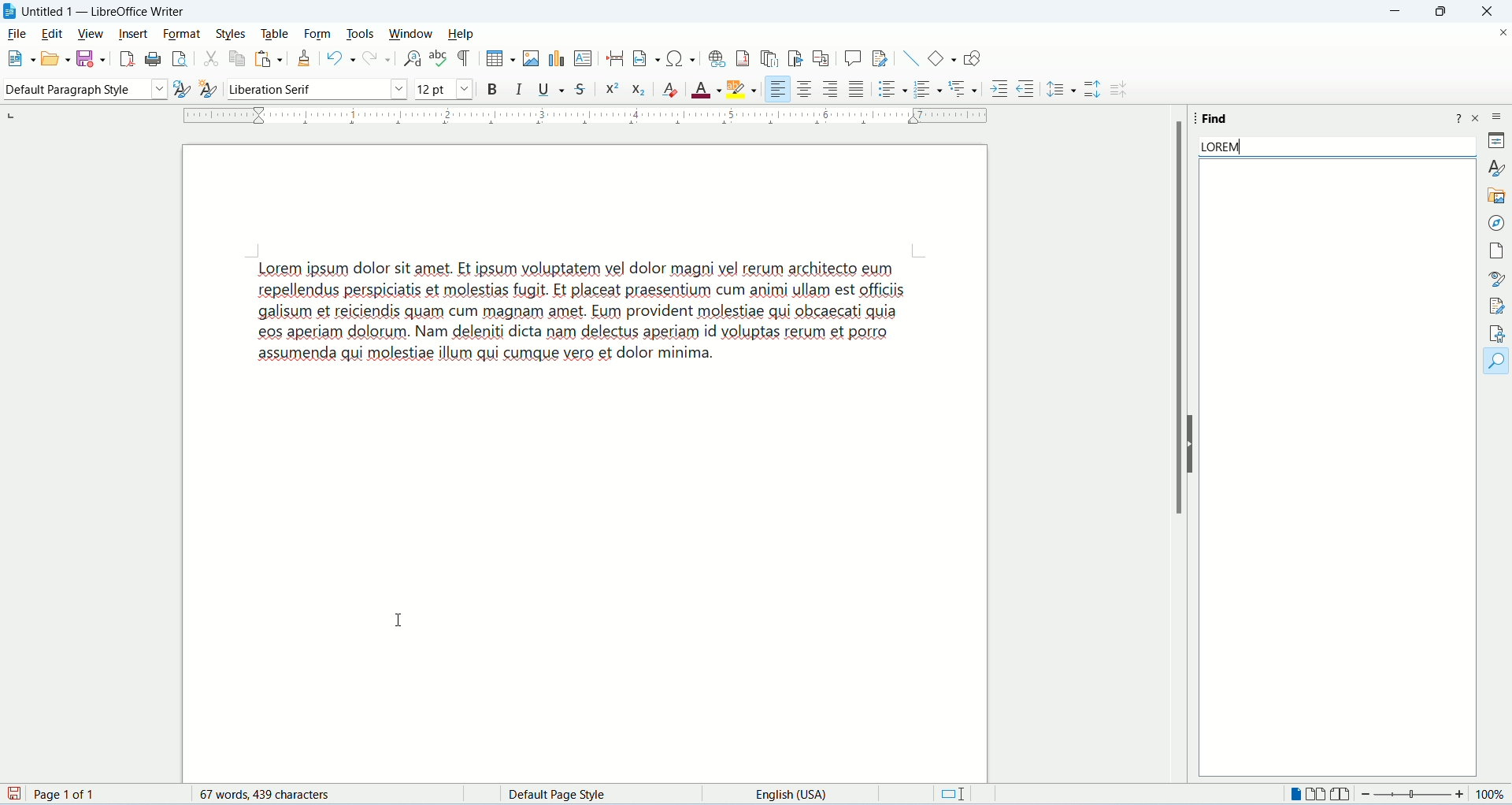 Image resolution: width=1512 pixels, height=805 pixels. Describe the element at coordinates (1343, 796) in the screenshot. I see `book view` at that location.